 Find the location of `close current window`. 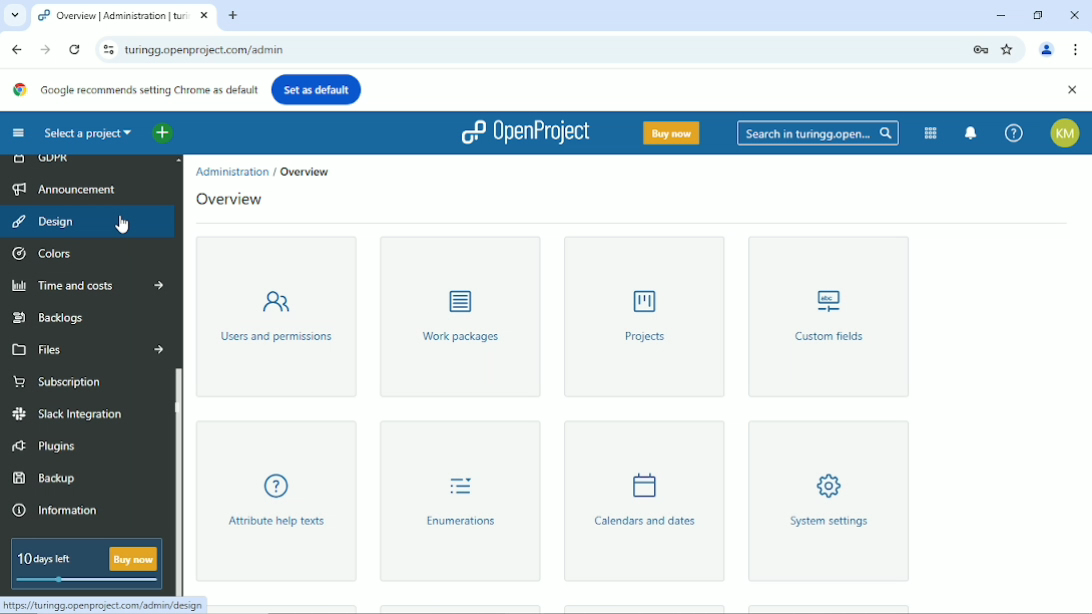

close current window is located at coordinates (204, 16).